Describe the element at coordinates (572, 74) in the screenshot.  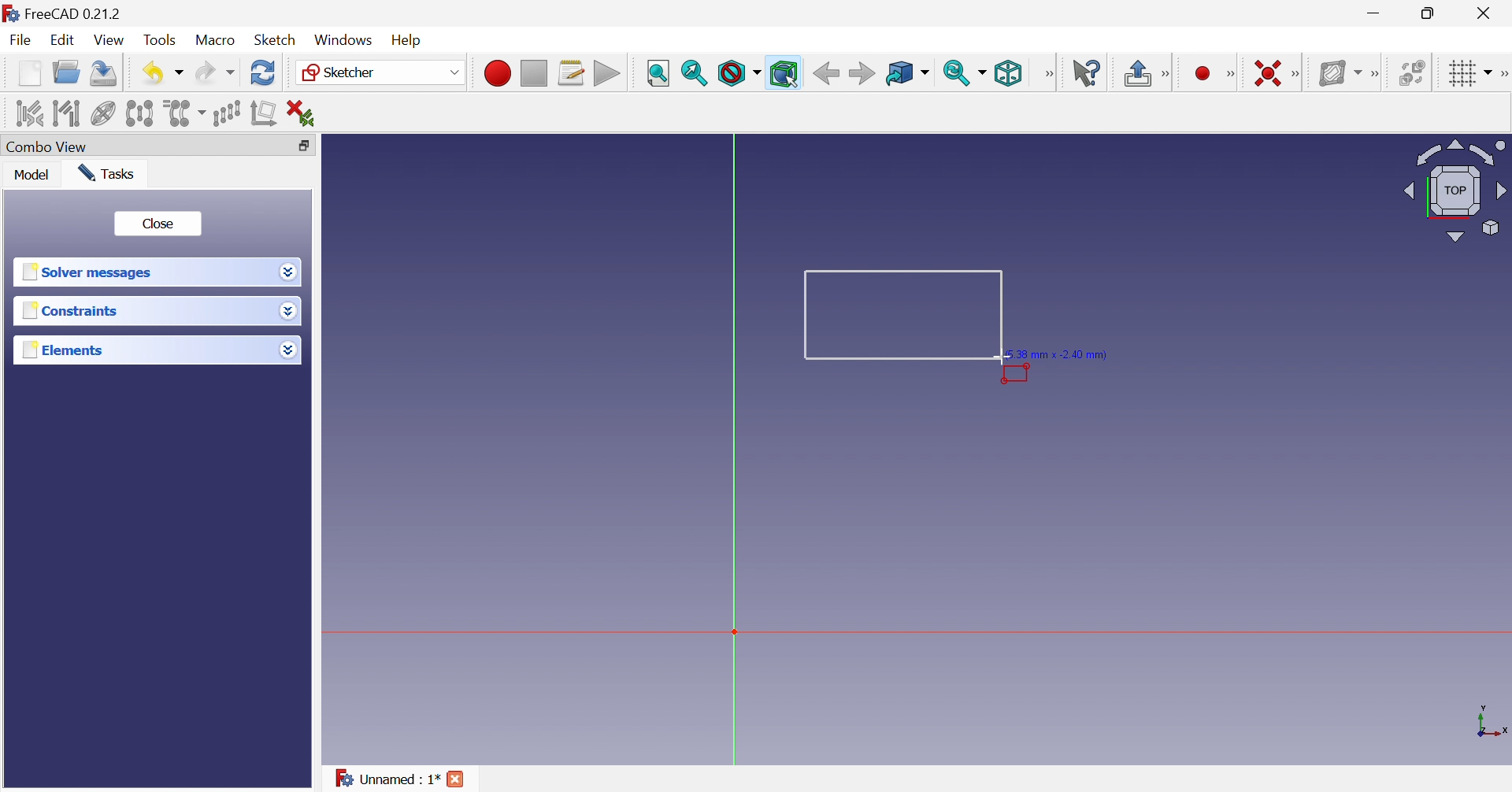
I see `Macros...` at that location.